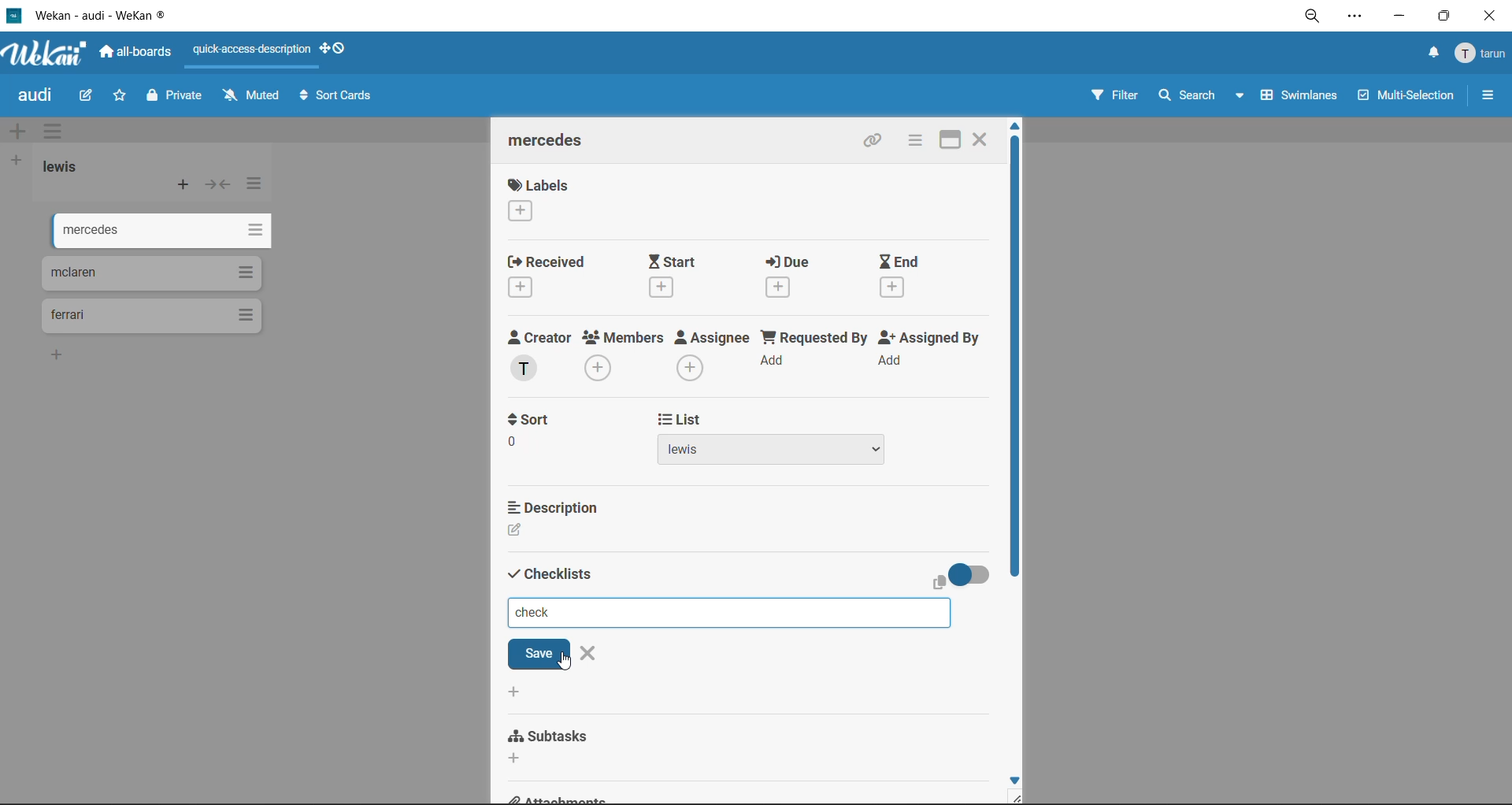  Describe the element at coordinates (339, 98) in the screenshot. I see `sort cards` at that location.